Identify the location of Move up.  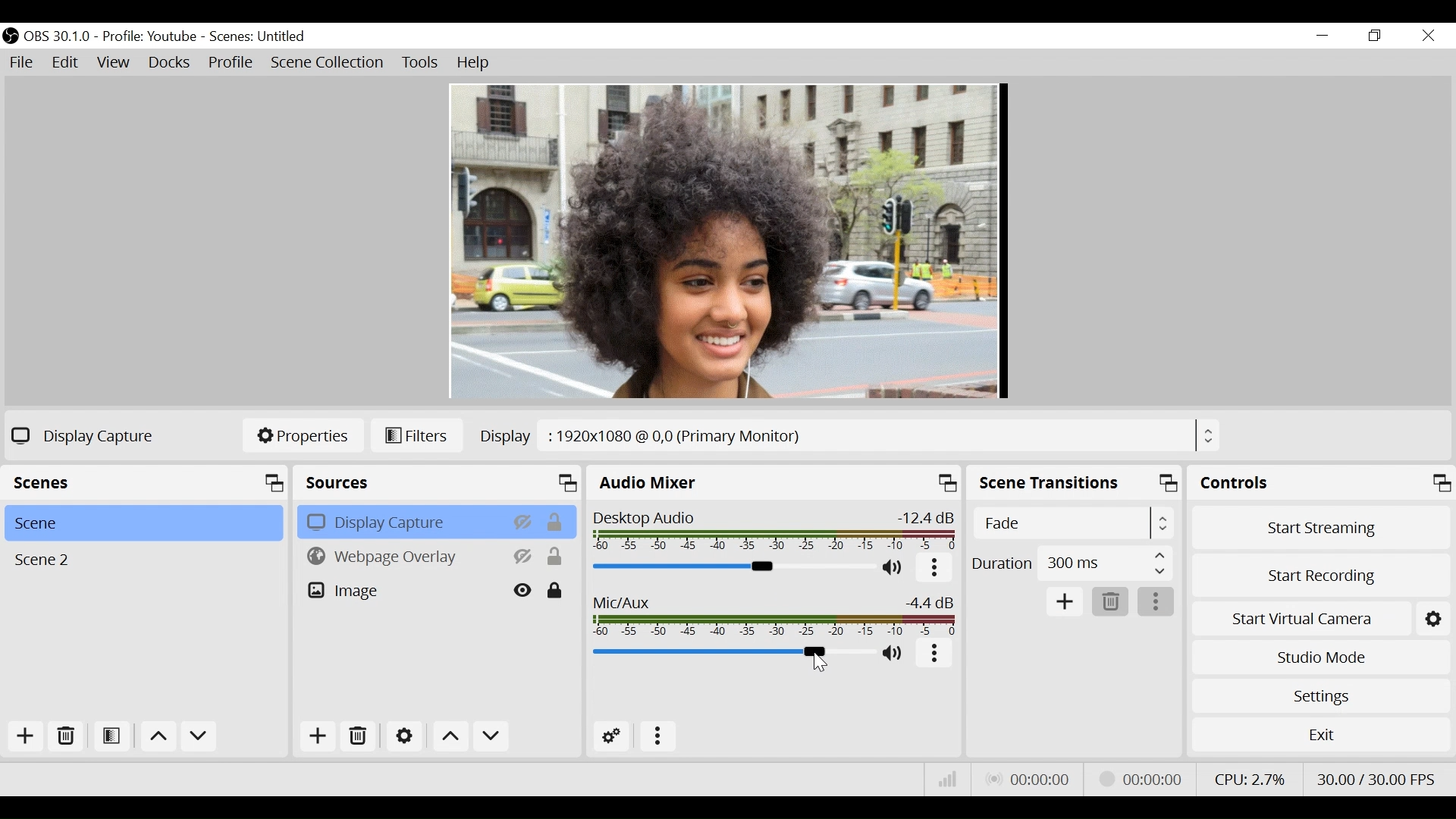
(449, 736).